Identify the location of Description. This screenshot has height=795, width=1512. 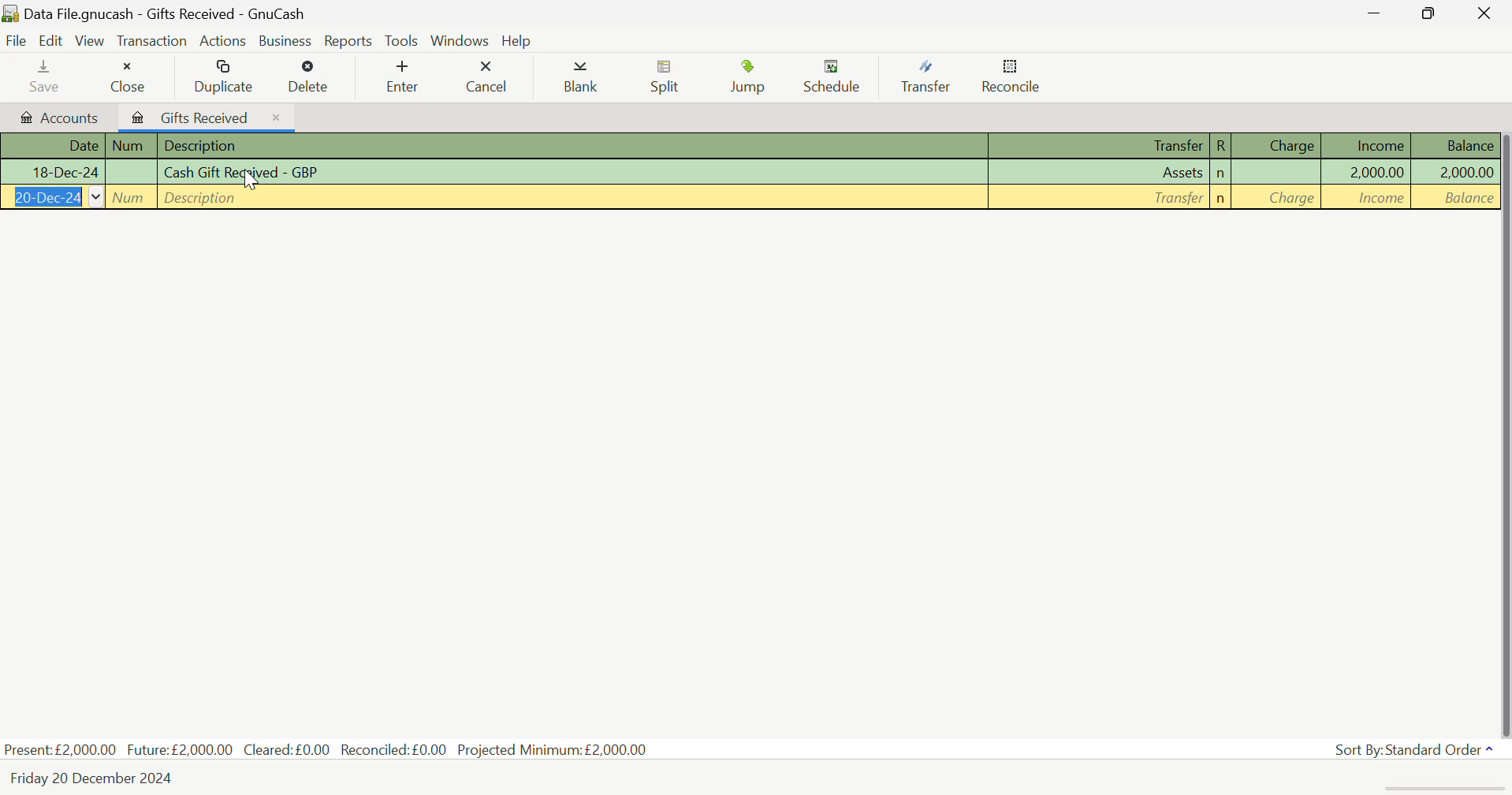
(572, 198).